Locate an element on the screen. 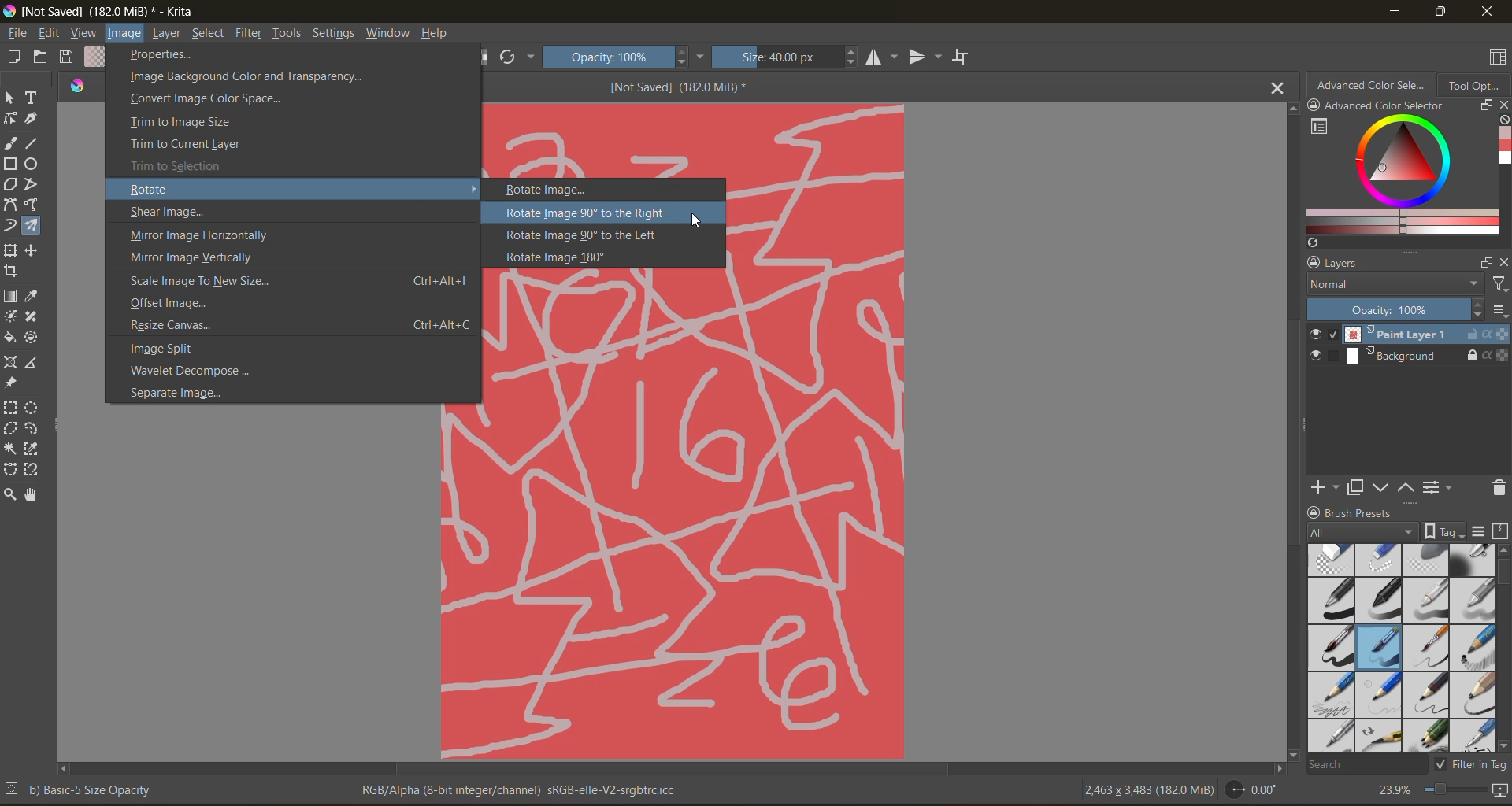 The image size is (1512, 806). properties is located at coordinates (161, 55).